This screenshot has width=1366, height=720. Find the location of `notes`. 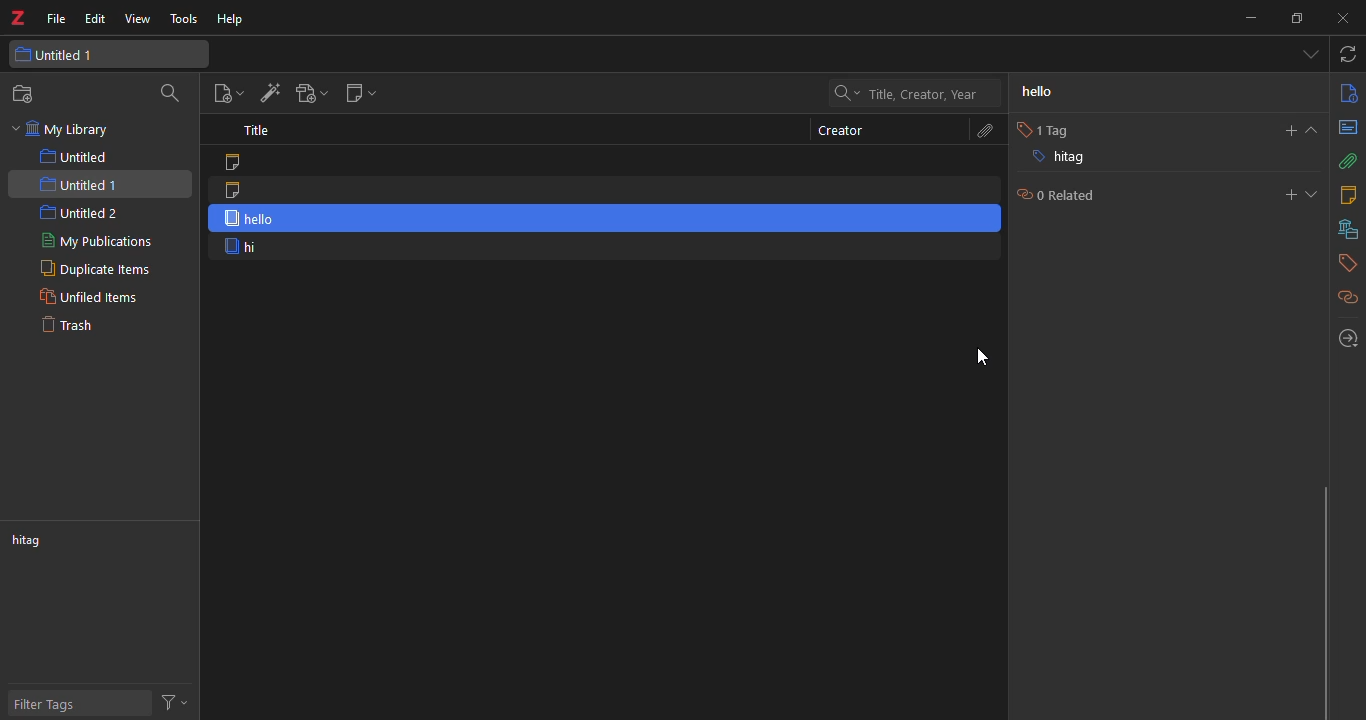

notes is located at coordinates (1346, 195).